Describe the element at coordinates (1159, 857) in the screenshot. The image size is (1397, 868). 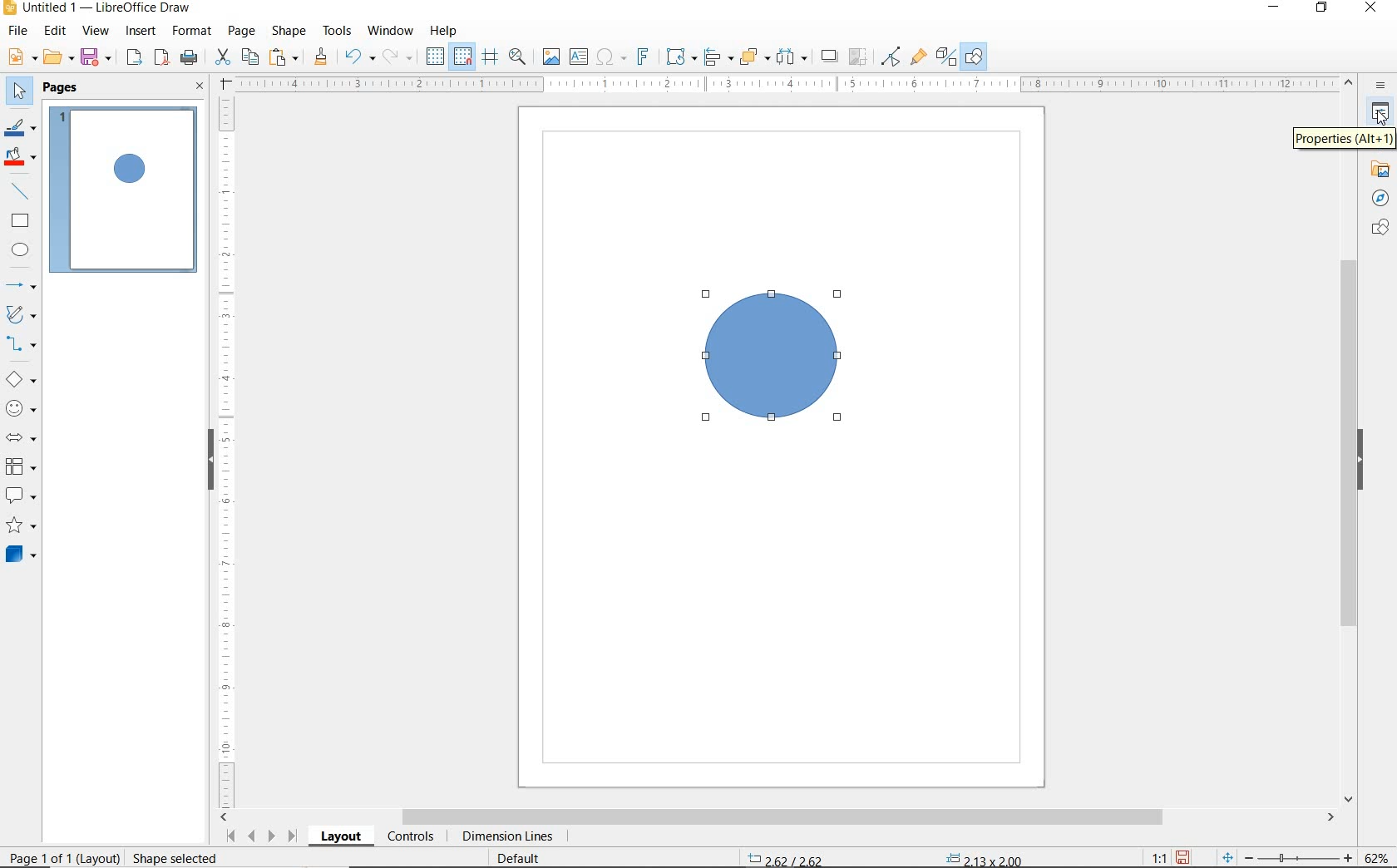
I see `1:1` at that location.